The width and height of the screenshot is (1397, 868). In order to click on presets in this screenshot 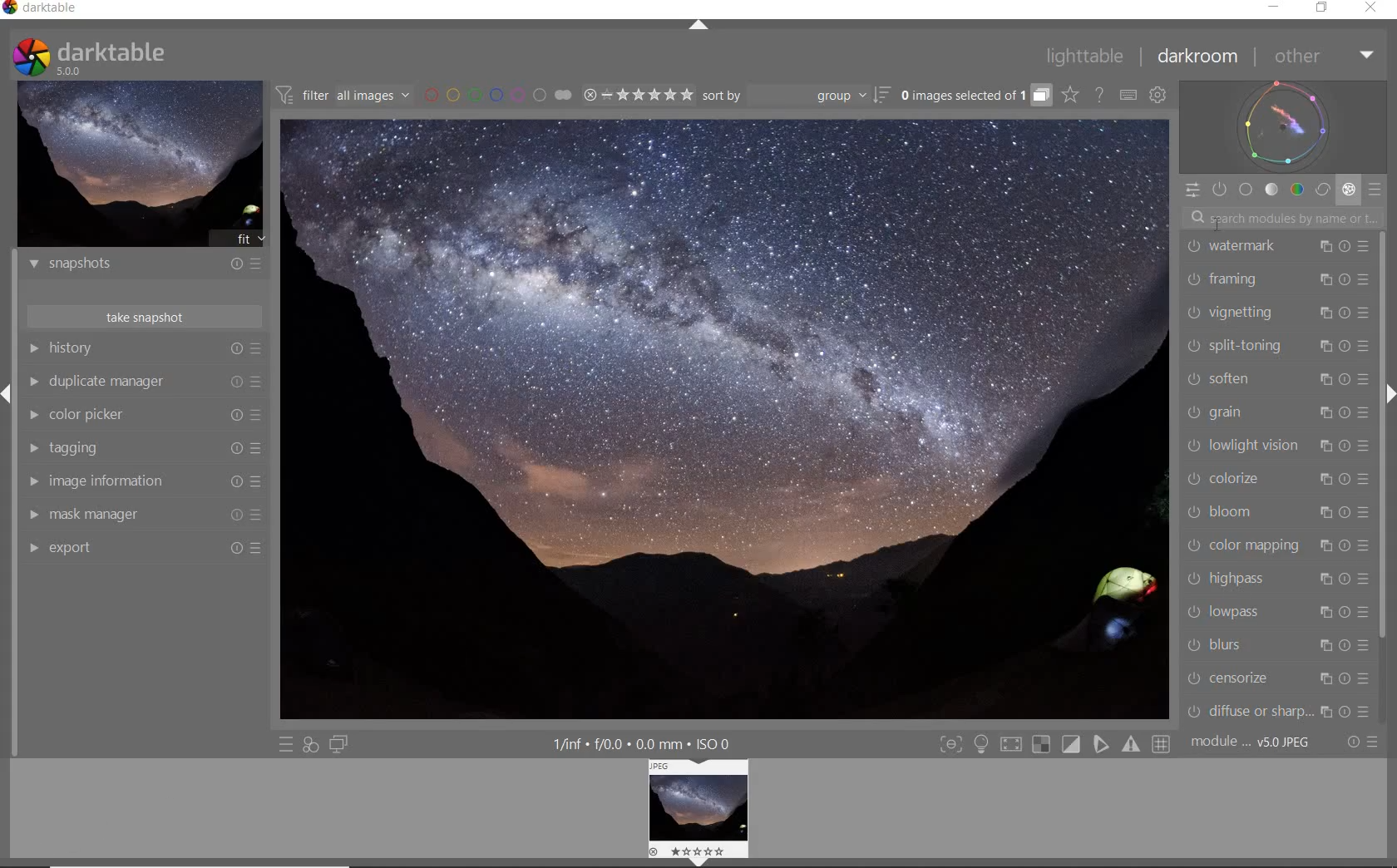, I will do `click(1364, 344)`.